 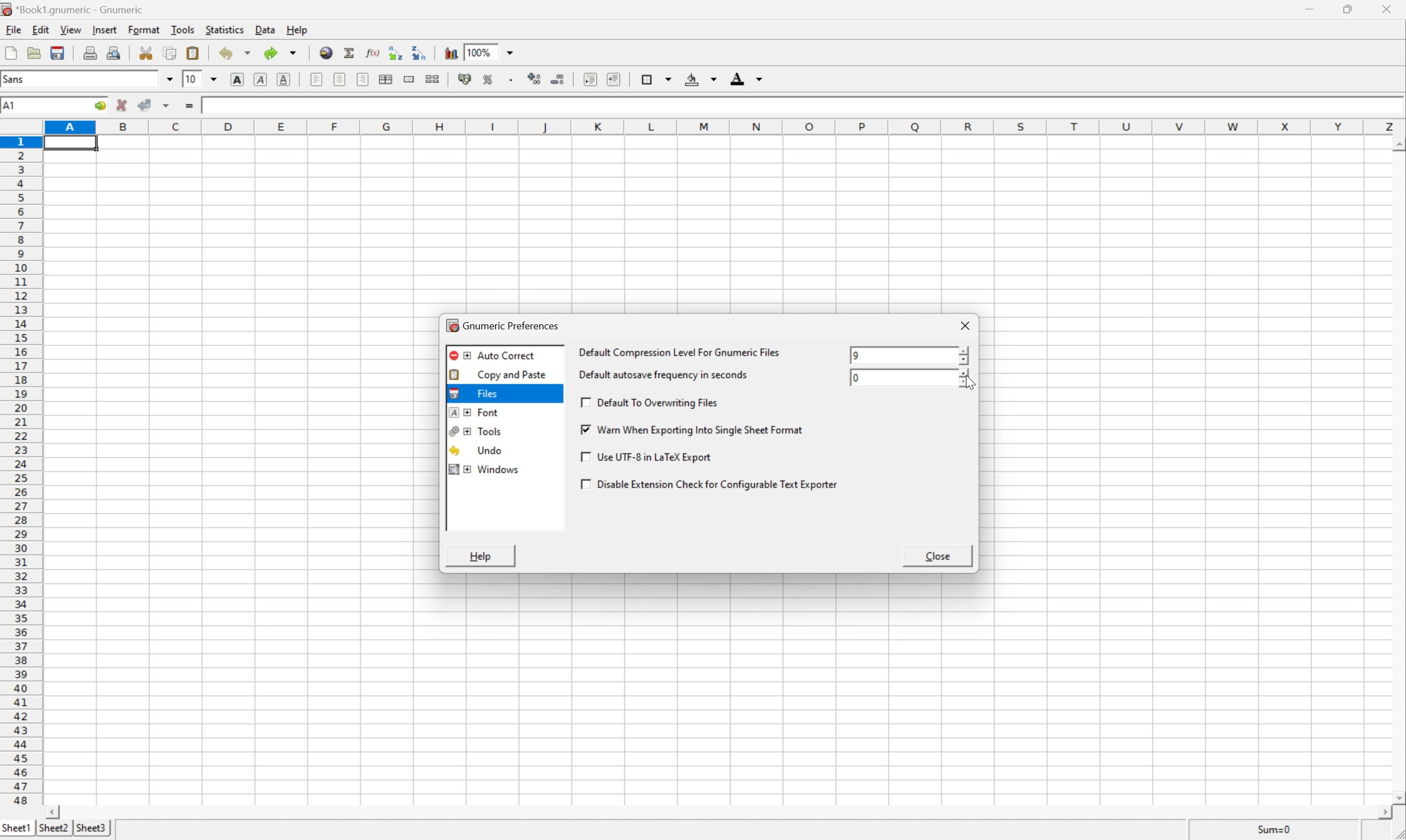 I want to click on tools, so click(x=476, y=433).